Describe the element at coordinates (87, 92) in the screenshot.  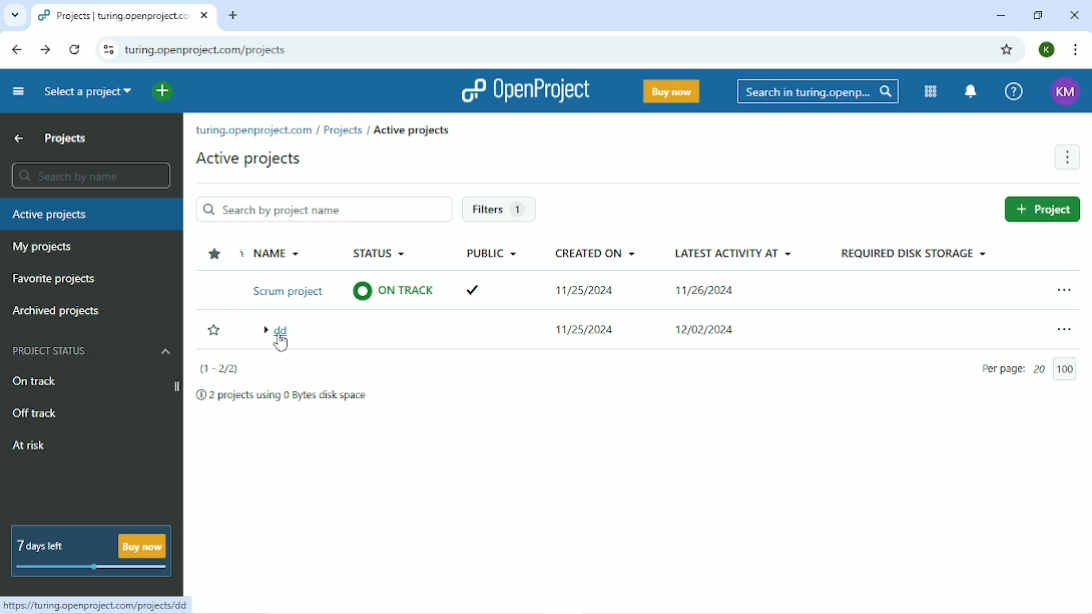
I see `Select a project` at that location.